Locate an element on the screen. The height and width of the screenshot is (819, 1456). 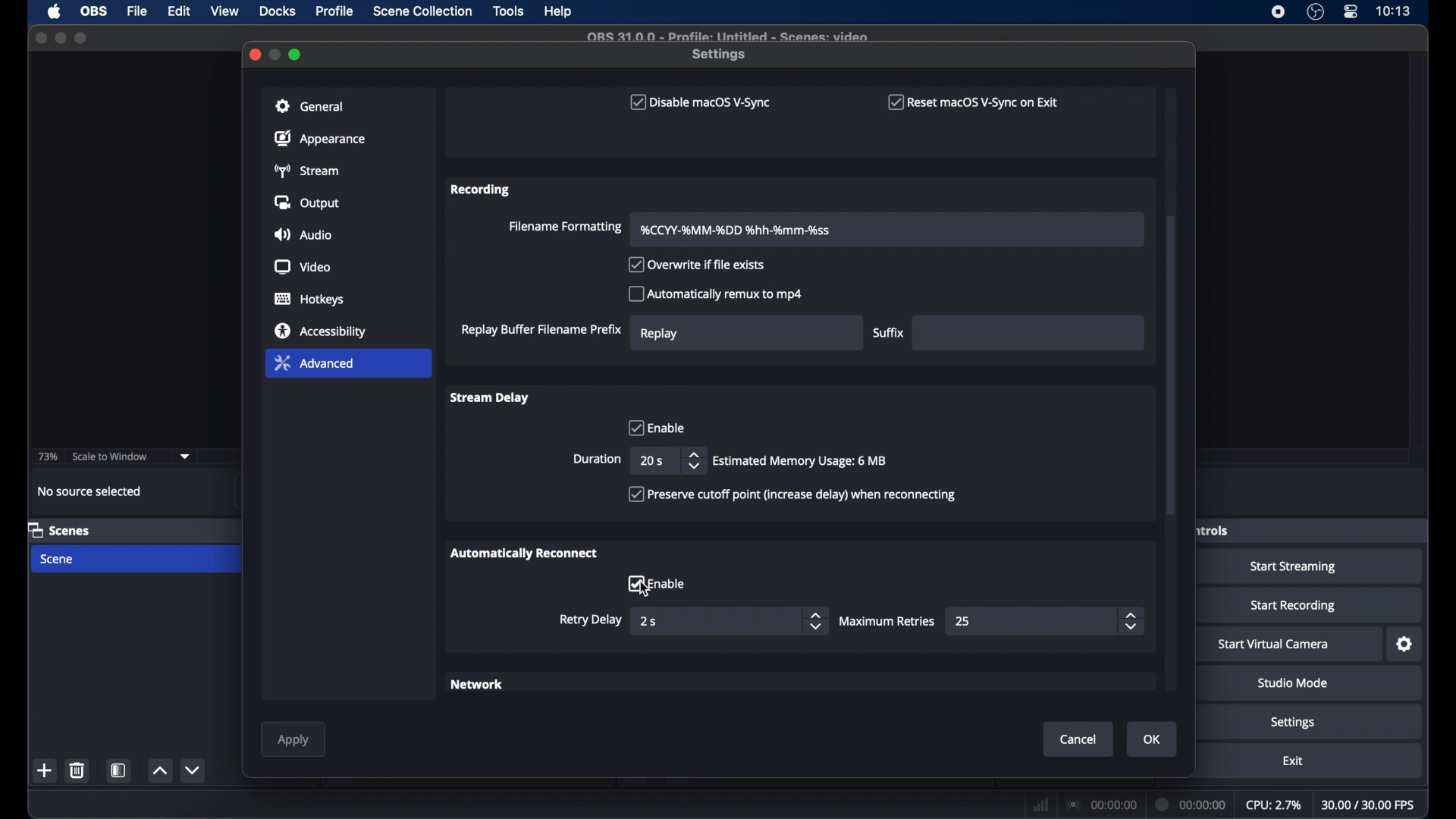
apple icon is located at coordinates (55, 12).